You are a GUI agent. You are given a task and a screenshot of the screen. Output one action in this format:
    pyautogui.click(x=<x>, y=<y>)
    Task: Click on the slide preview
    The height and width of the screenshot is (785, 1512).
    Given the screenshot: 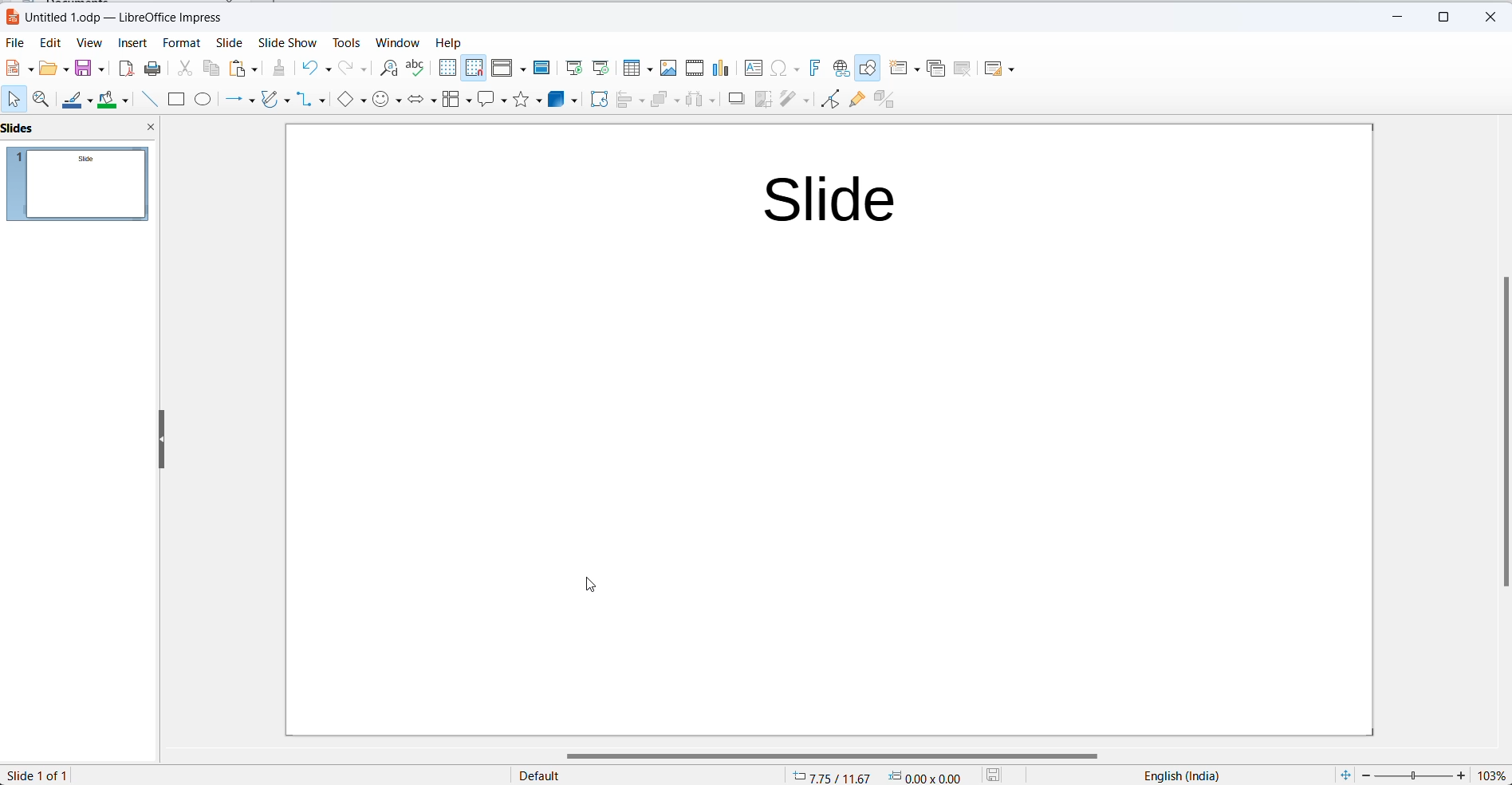 What is the action you would take?
    pyautogui.click(x=80, y=187)
    